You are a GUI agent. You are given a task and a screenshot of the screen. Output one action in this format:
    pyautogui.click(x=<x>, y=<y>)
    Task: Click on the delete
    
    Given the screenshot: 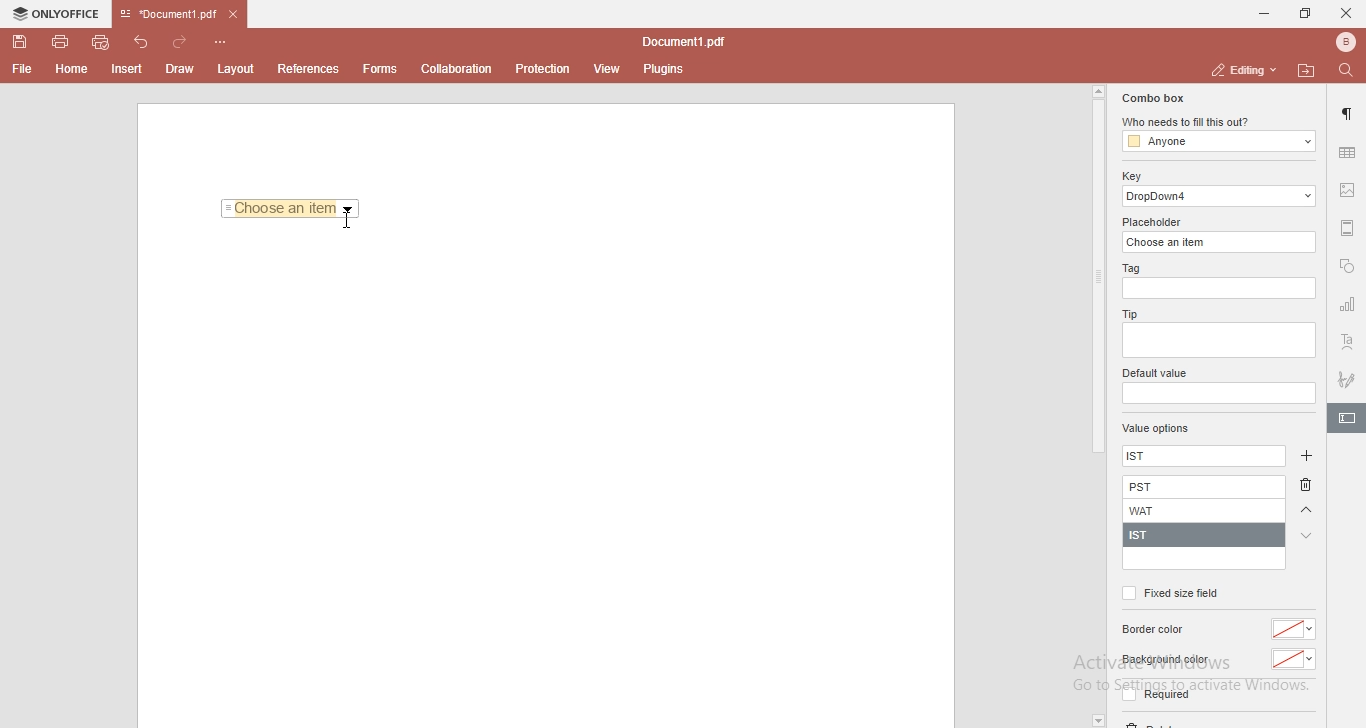 What is the action you would take?
    pyautogui.click(x=1310, y=488)
    